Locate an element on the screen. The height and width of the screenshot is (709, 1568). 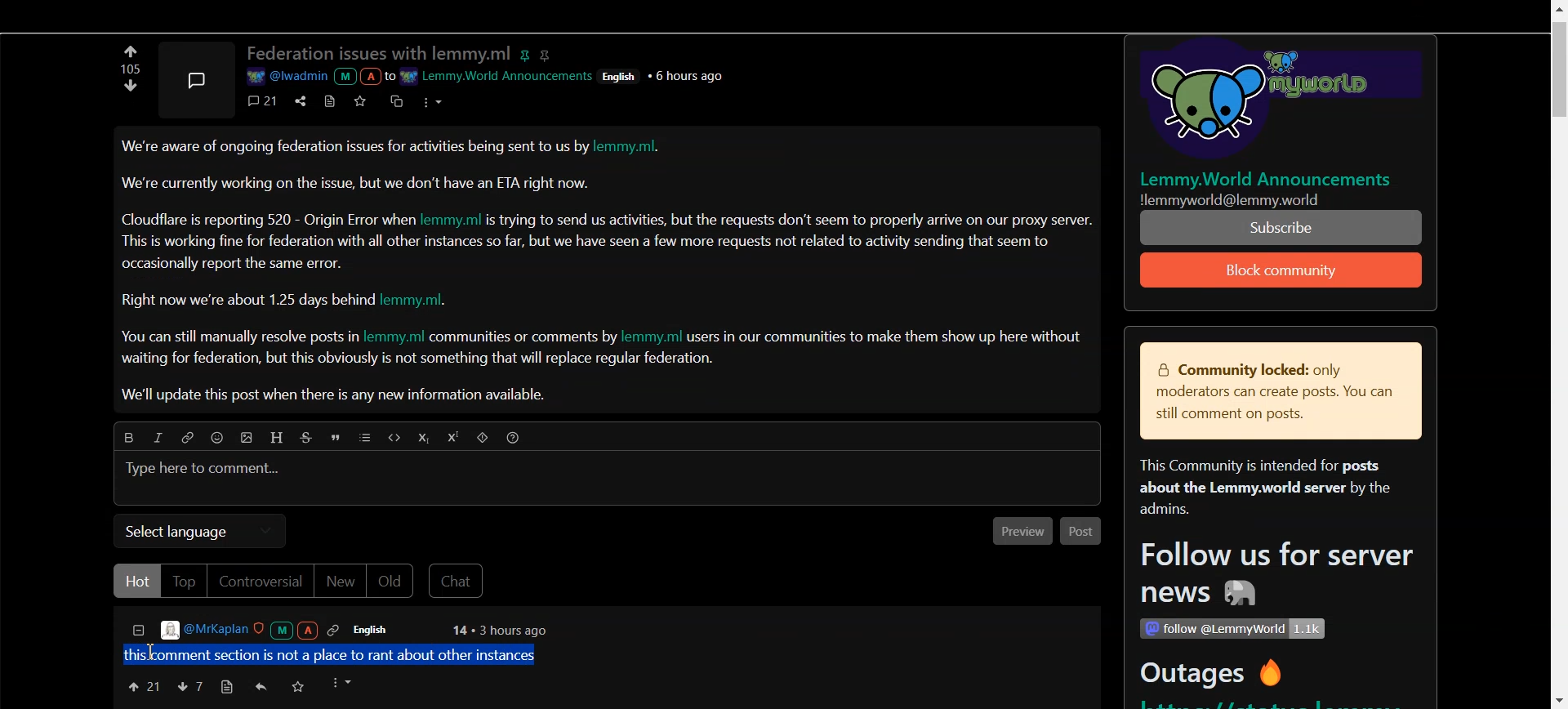
We'll update this post when there is any new information available. is located at coordinates (336, 395).